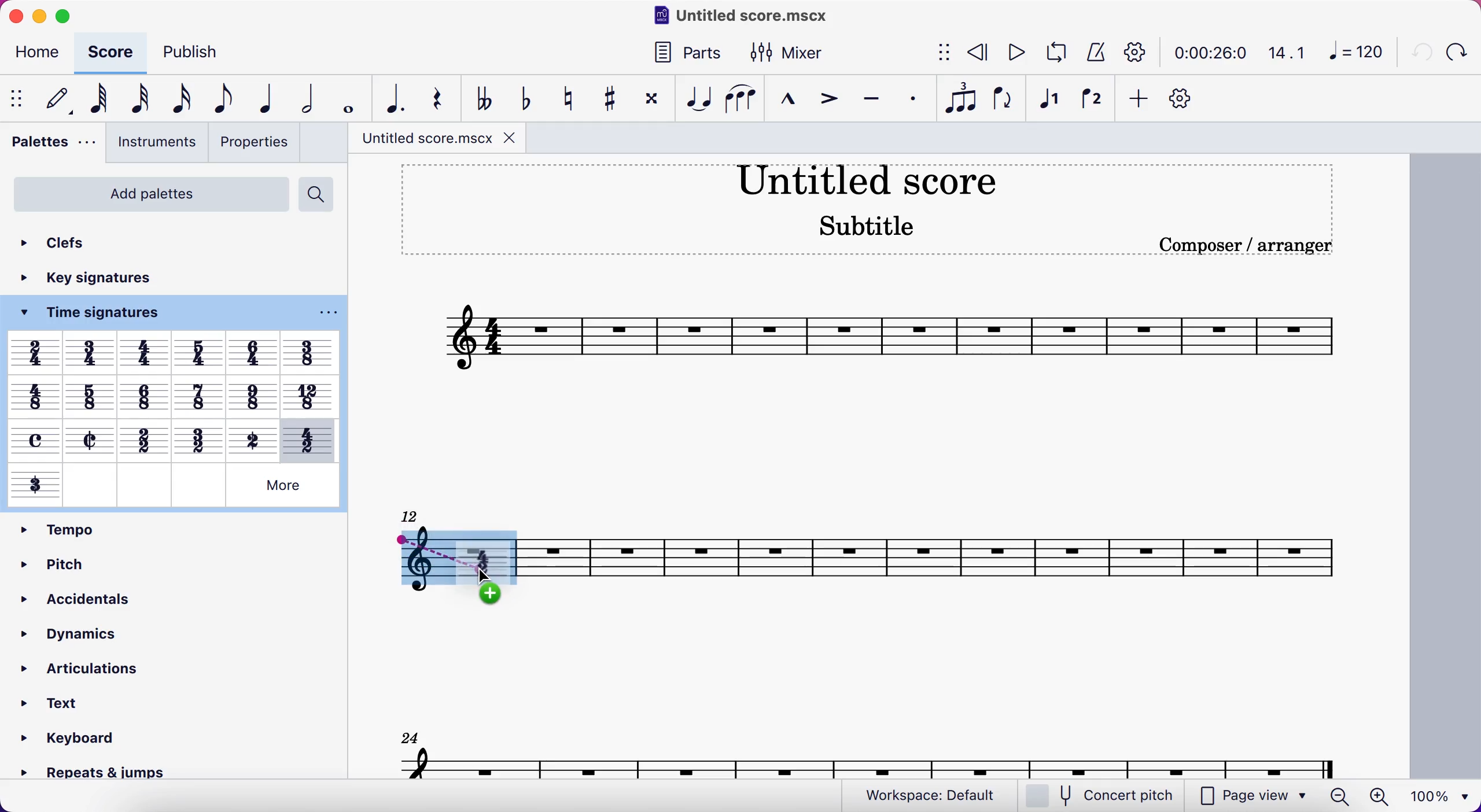 The height and width of the screenshot is (812, 1481). Describe the element at coordinates (1135, 54) in the screenshot. I see `playback settings` at that location.